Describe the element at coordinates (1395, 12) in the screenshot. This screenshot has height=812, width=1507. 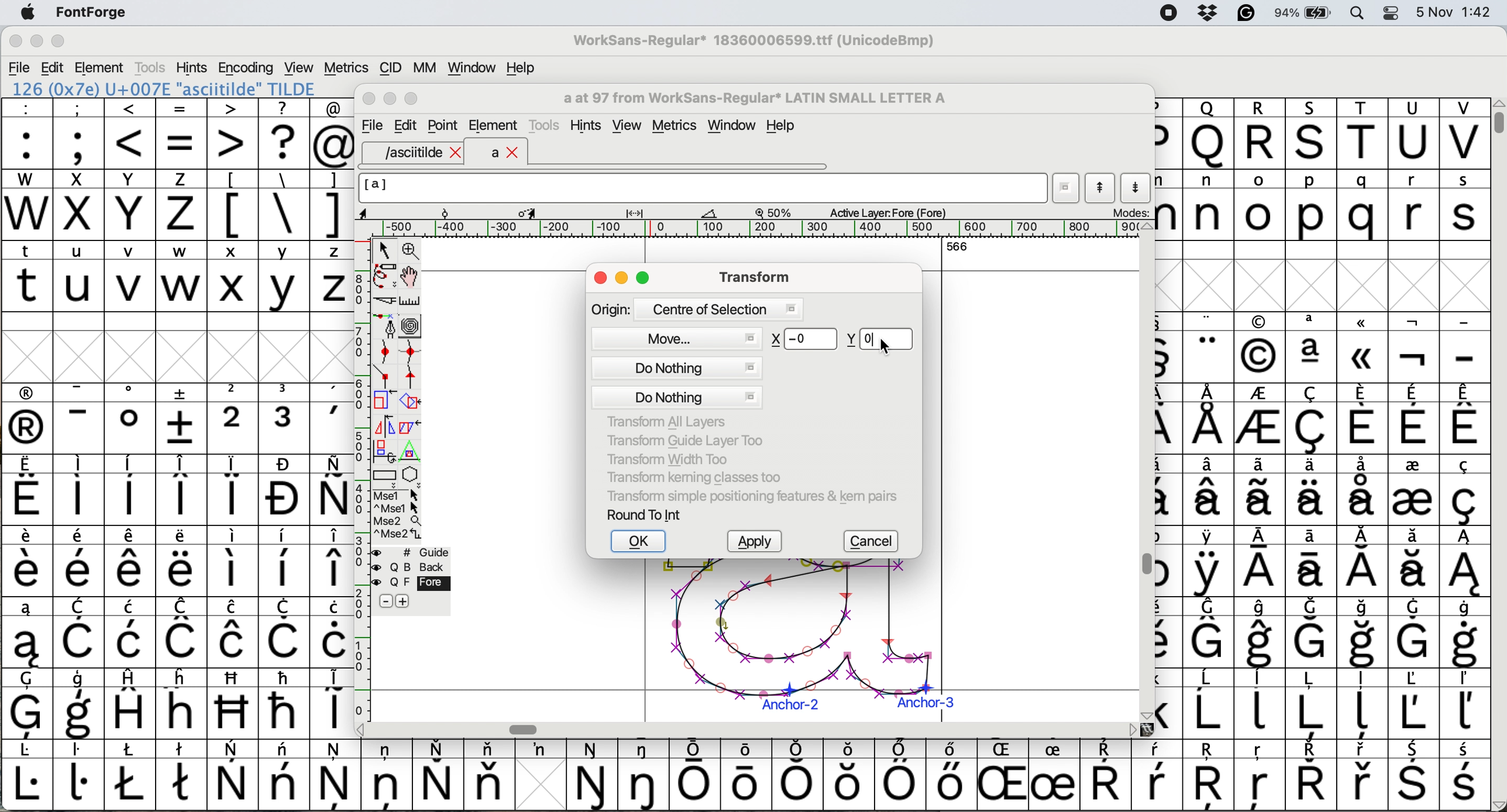
I see `control center` at that location.